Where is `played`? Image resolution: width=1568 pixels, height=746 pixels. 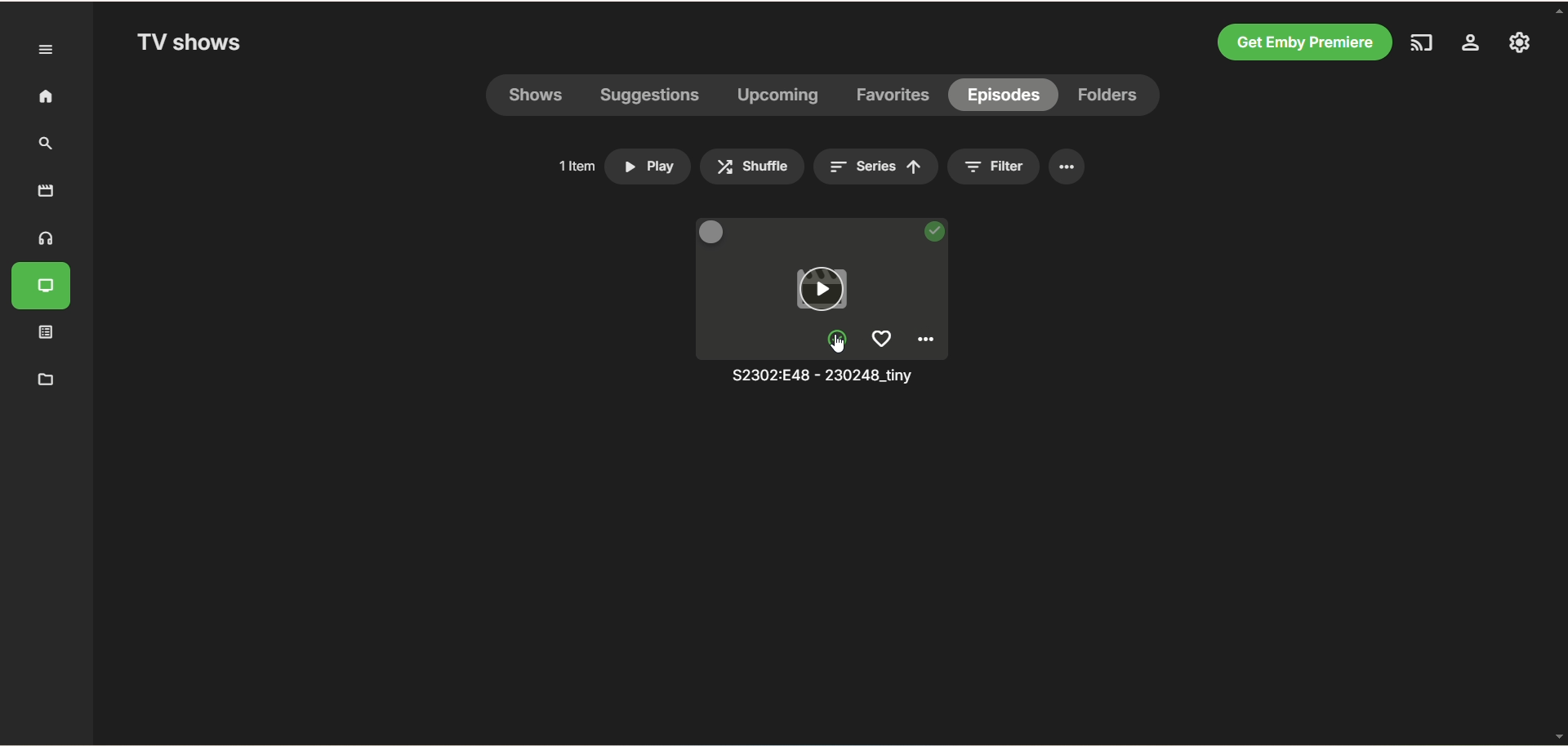 played is located at coordinates (938, 232).